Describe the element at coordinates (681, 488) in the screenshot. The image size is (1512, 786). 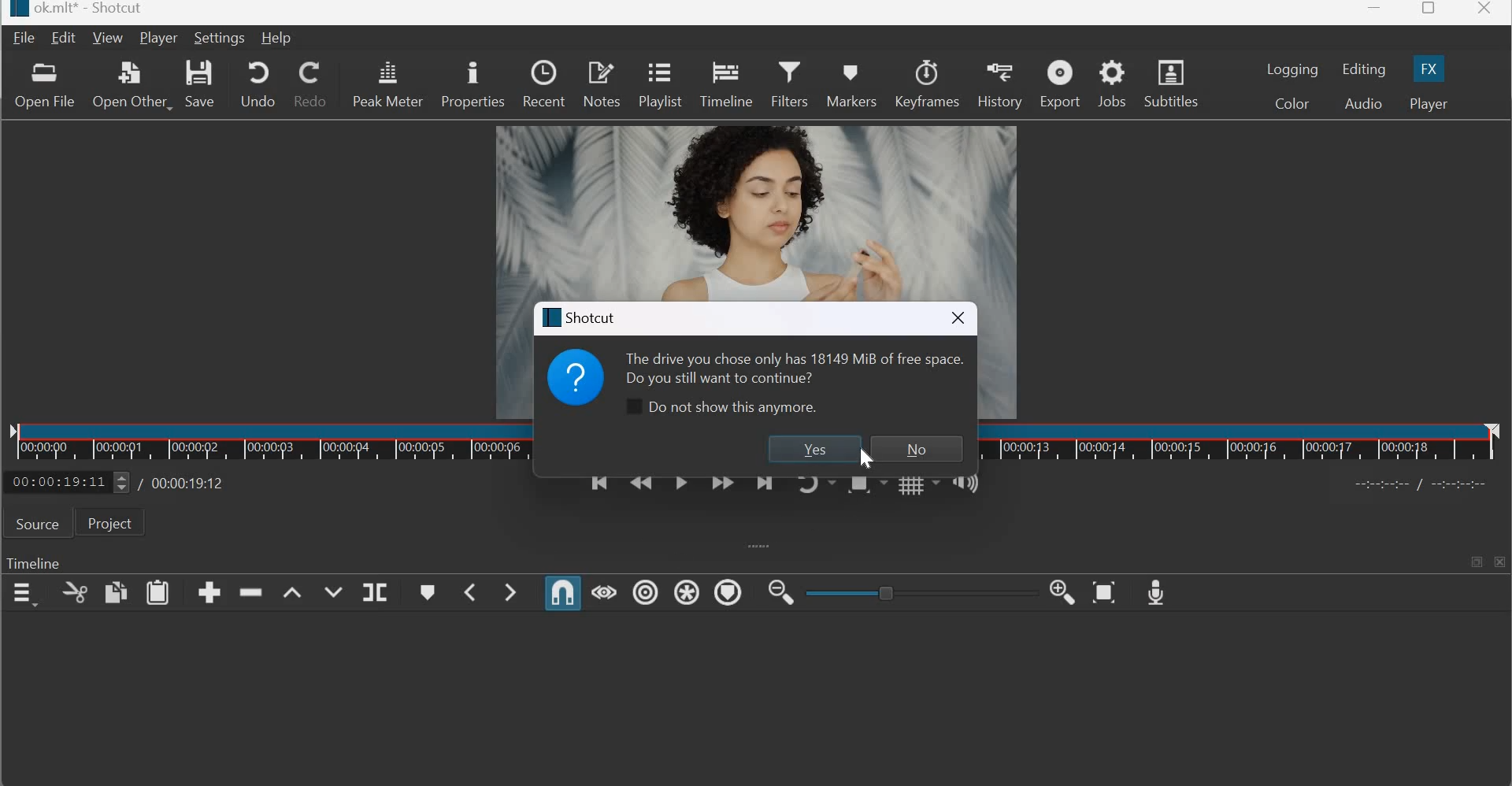
I see `Toggle play or pause` at that location.